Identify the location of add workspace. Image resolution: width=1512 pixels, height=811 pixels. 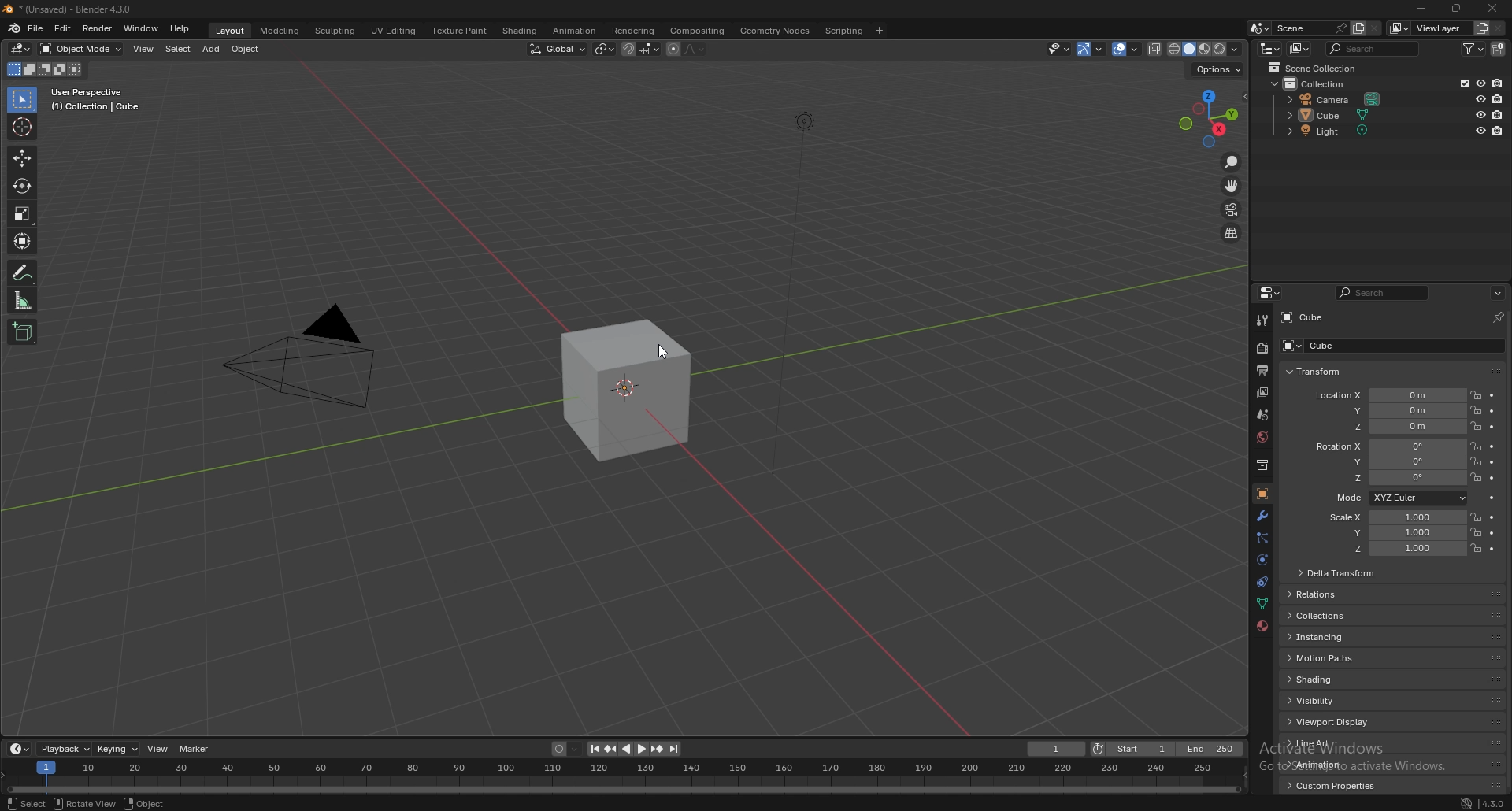
(880, 31).